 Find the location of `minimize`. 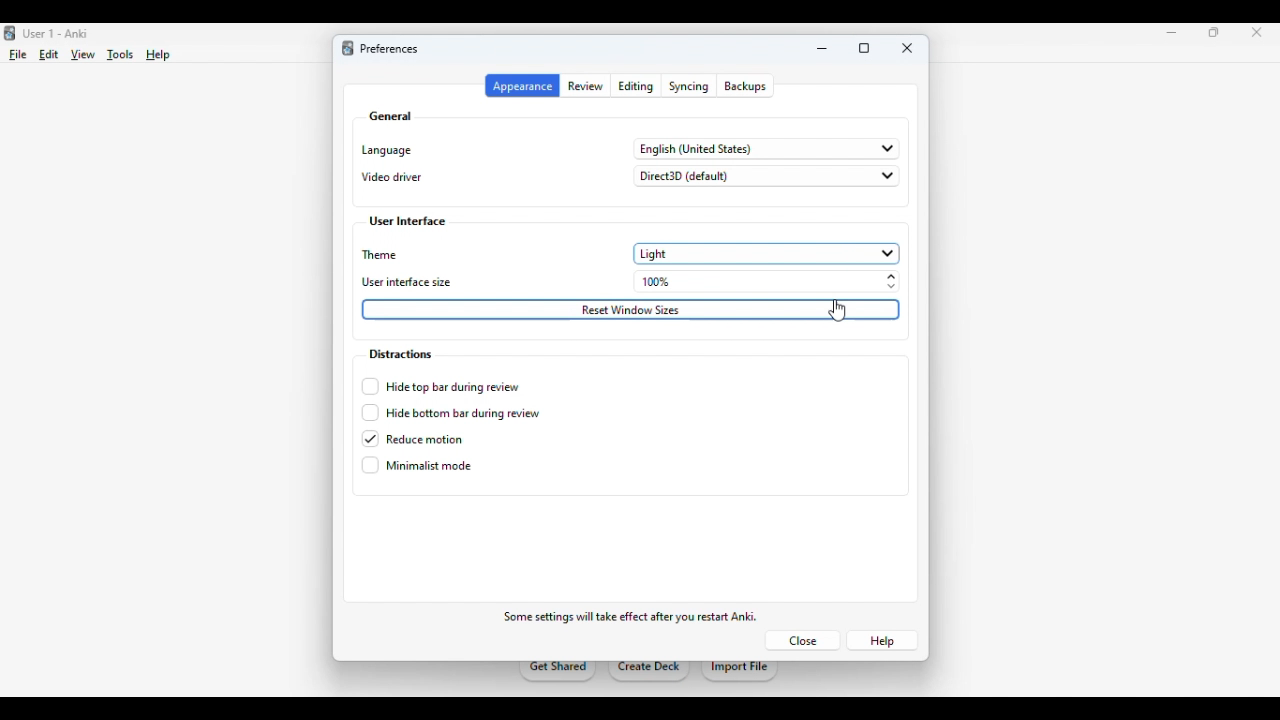

minimize is located at coordinates (1172, 33).